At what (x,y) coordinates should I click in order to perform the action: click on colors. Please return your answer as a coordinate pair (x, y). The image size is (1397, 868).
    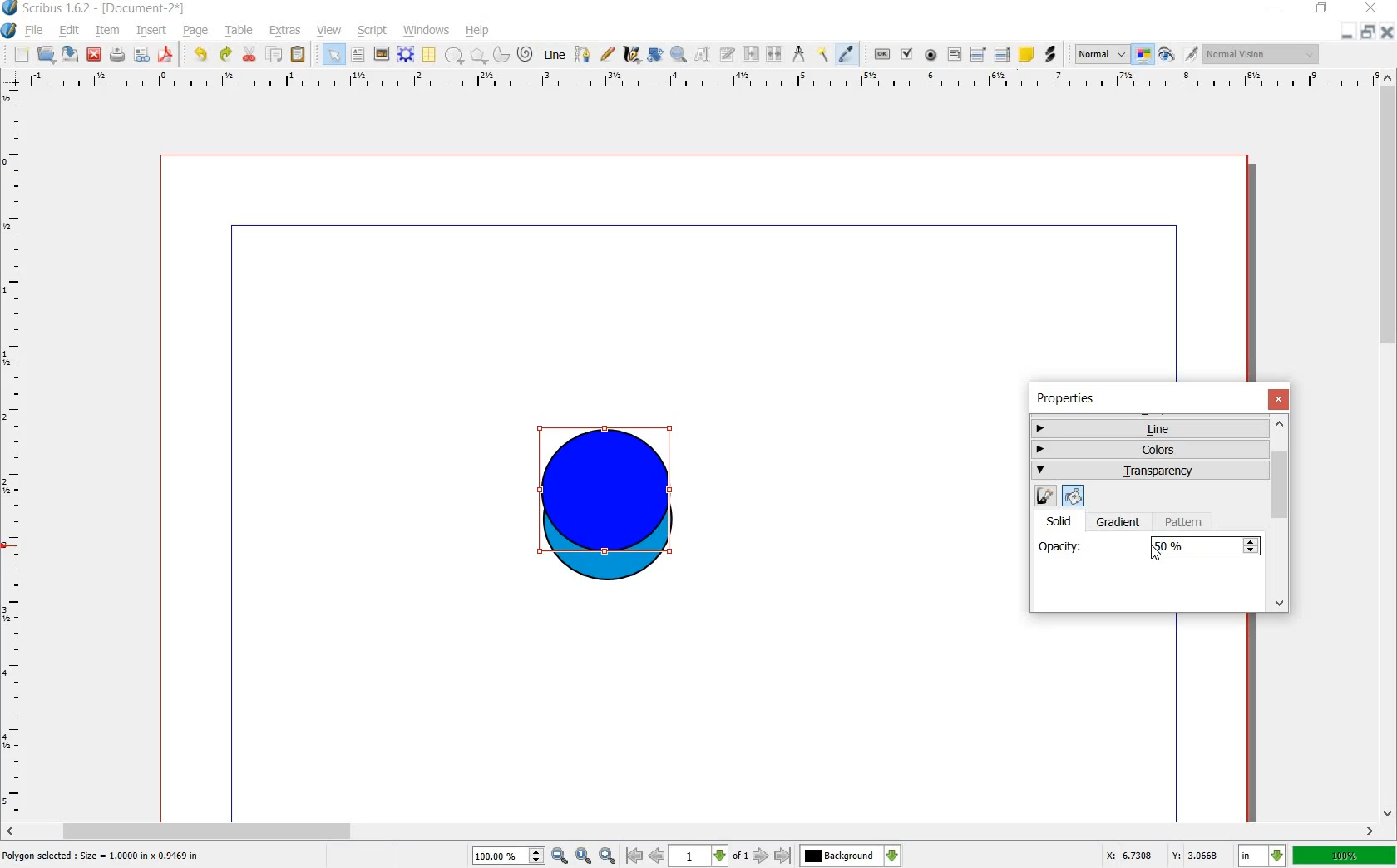
    Looking at the image, I should click on (1151, 447).